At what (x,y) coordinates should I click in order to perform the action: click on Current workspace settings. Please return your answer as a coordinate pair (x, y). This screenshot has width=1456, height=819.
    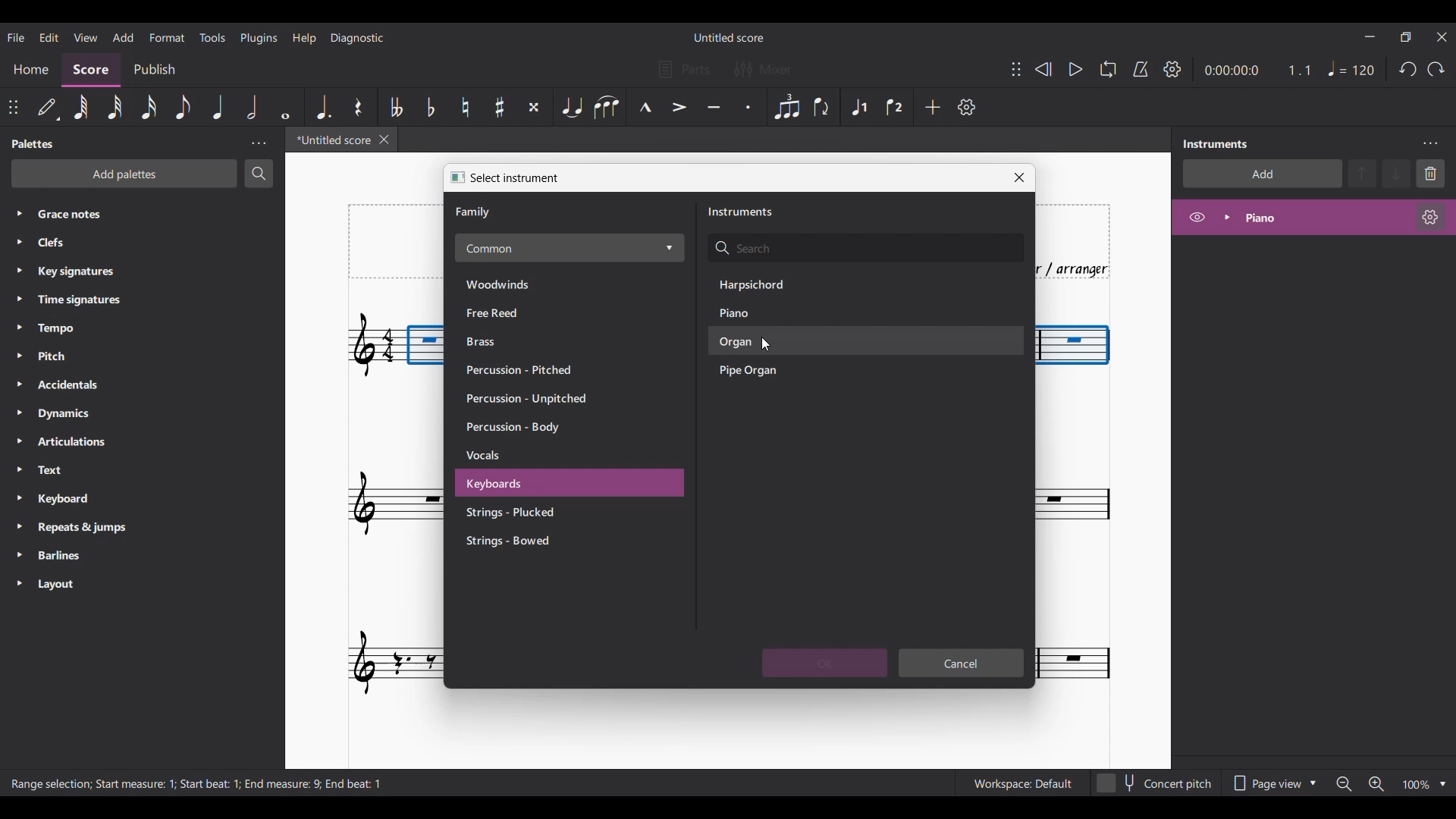
    Looking at the image, I should click on (1022, 783).